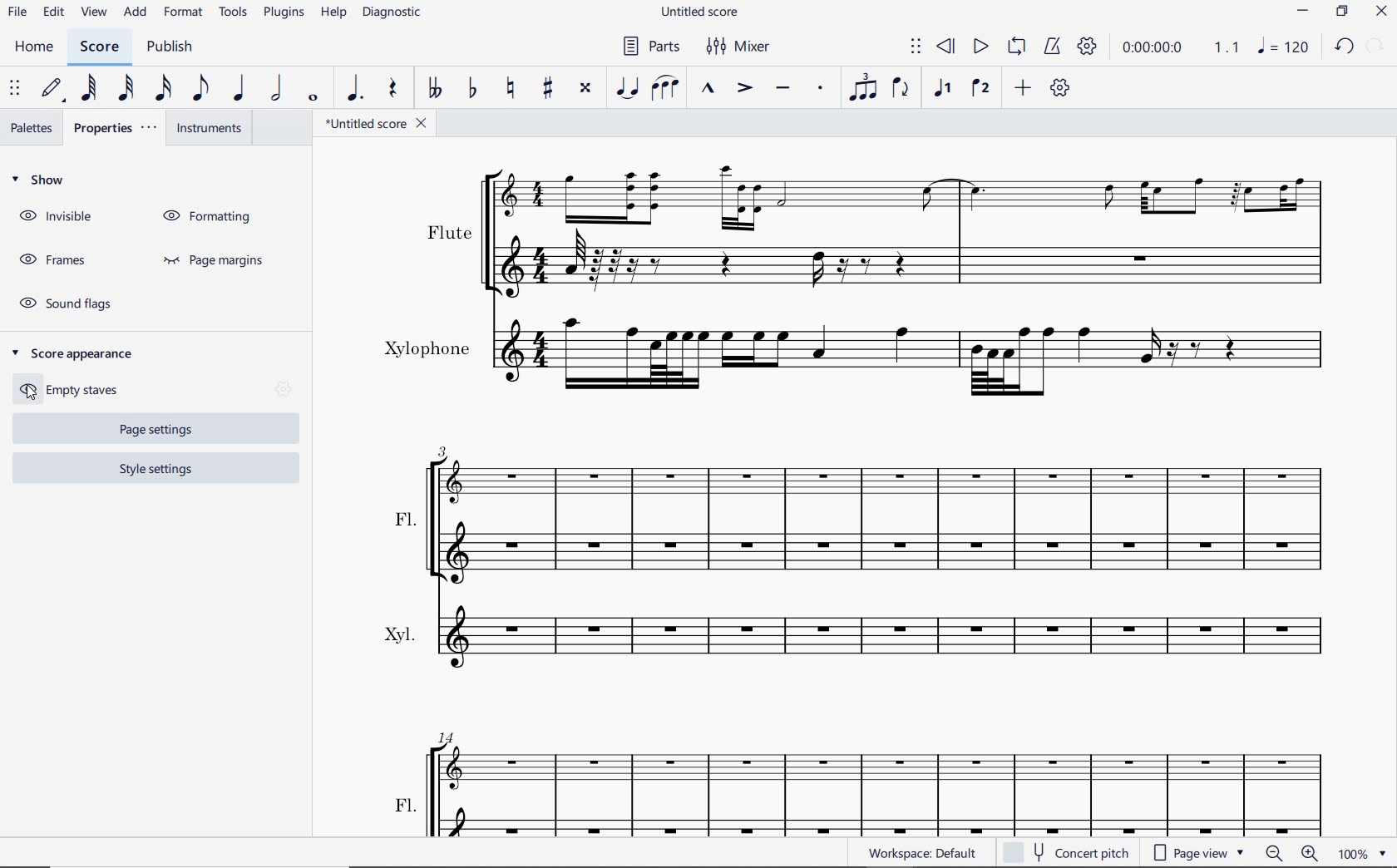 This screenshot has height=868, width=1397. What do you see at coordinates (90, 89) in the screenshot?
I see `64TH NOTE` at bounding box center [90, 89].